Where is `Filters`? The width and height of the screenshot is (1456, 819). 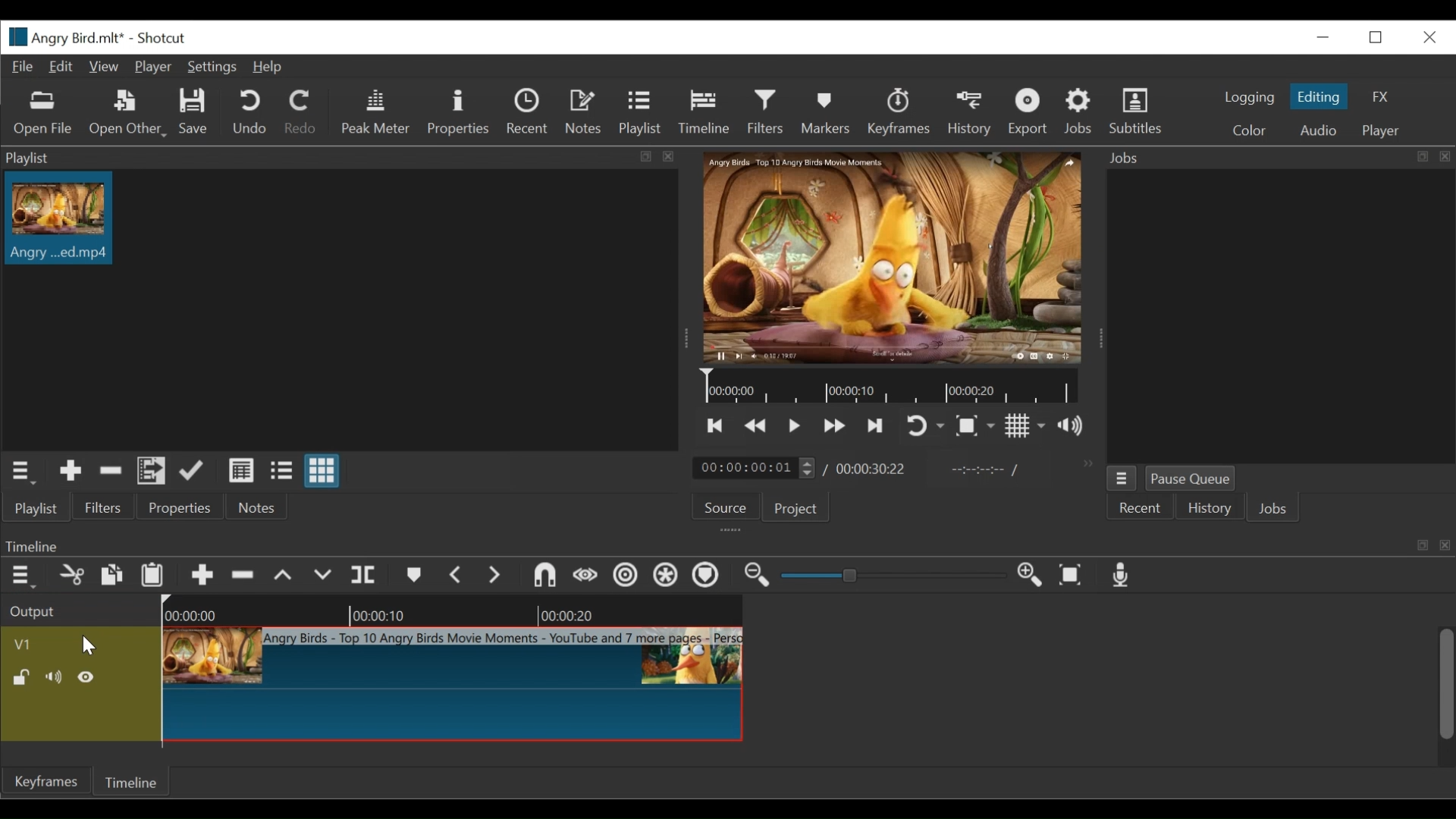
Filters is located at coordinates (106, 507).